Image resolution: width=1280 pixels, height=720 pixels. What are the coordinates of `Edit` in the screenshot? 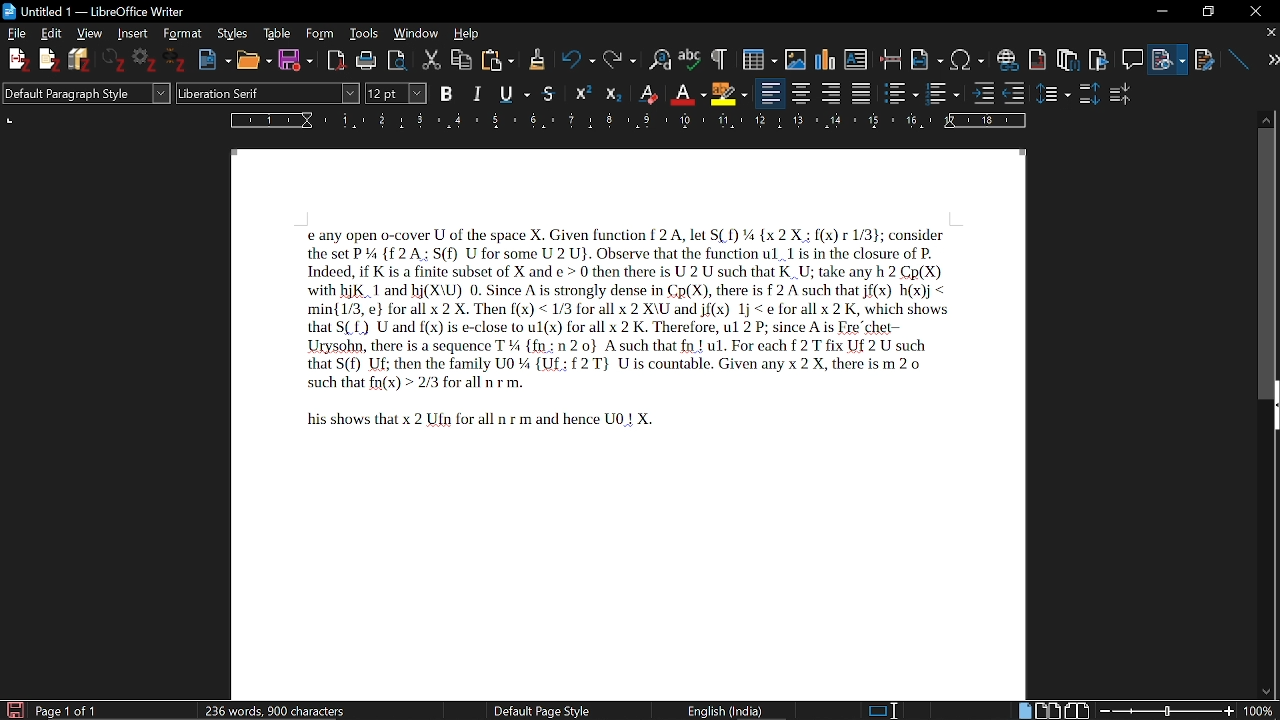 It's located at (54, 33).